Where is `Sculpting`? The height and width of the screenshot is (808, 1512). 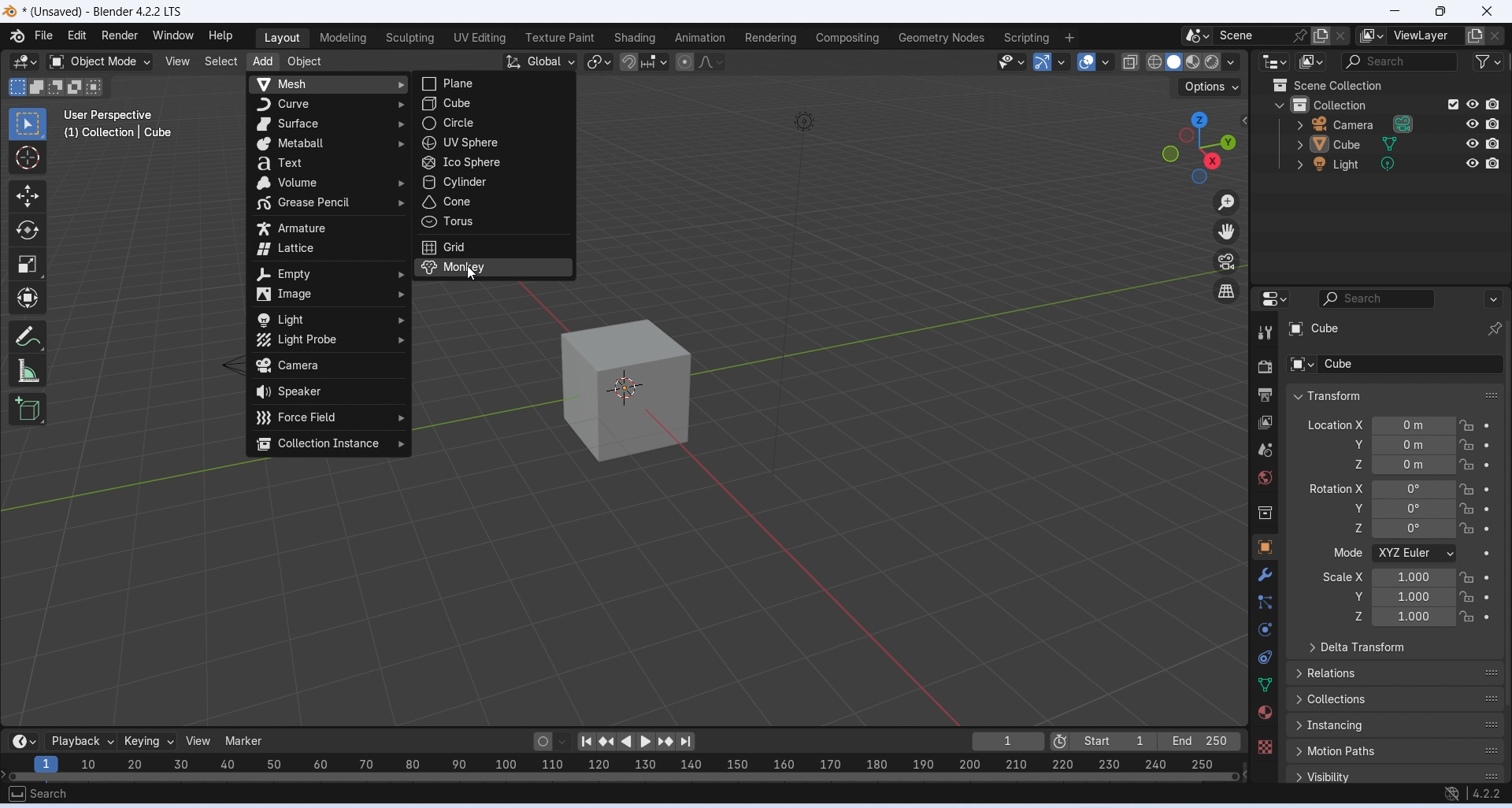 Sculpting is located at coordinates (409, 39).